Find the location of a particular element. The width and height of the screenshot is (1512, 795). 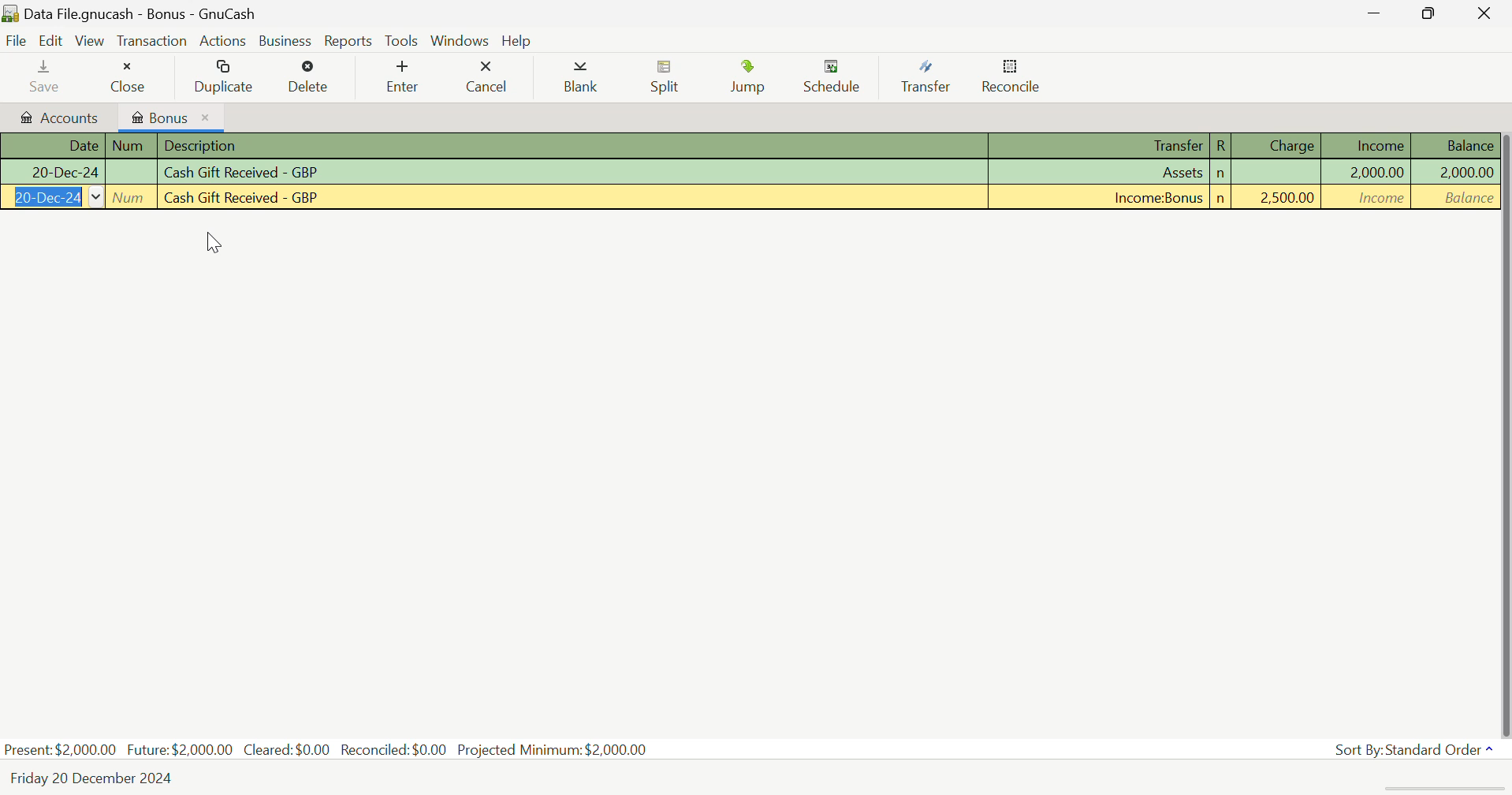

Tools is located at coordinates (403, 40).